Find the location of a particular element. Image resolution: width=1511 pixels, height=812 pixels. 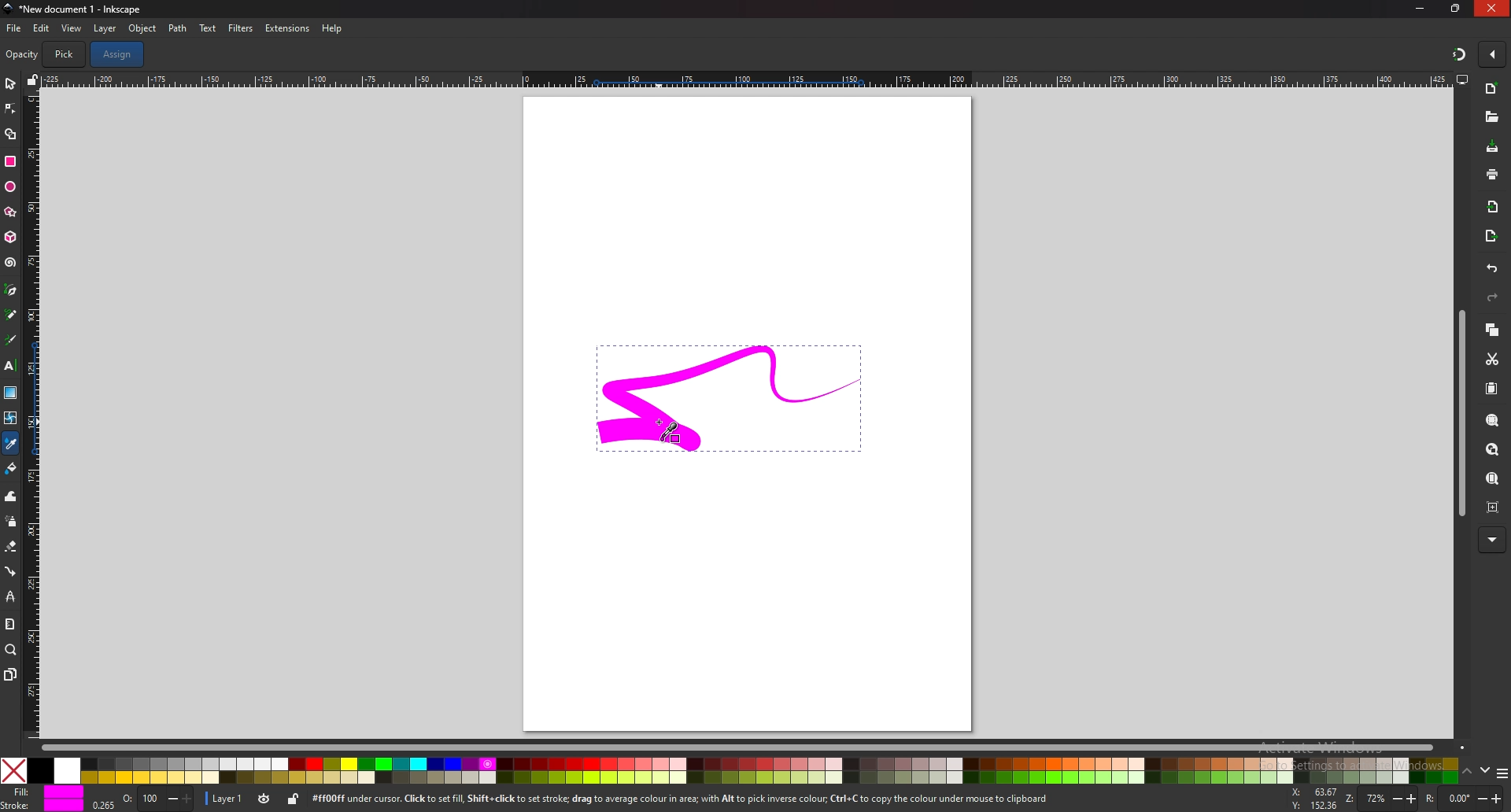

fill bucket is located at coordinates (13, 469).